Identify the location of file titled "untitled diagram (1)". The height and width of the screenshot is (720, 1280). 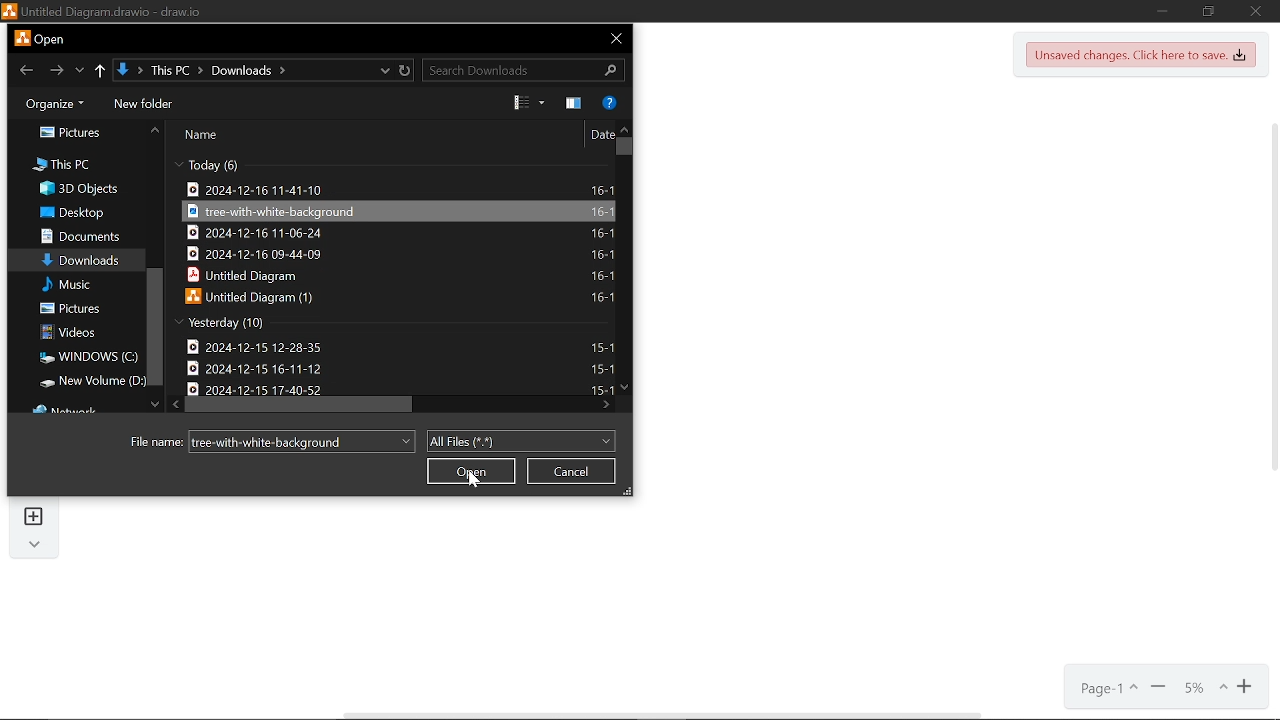
(397, 297).